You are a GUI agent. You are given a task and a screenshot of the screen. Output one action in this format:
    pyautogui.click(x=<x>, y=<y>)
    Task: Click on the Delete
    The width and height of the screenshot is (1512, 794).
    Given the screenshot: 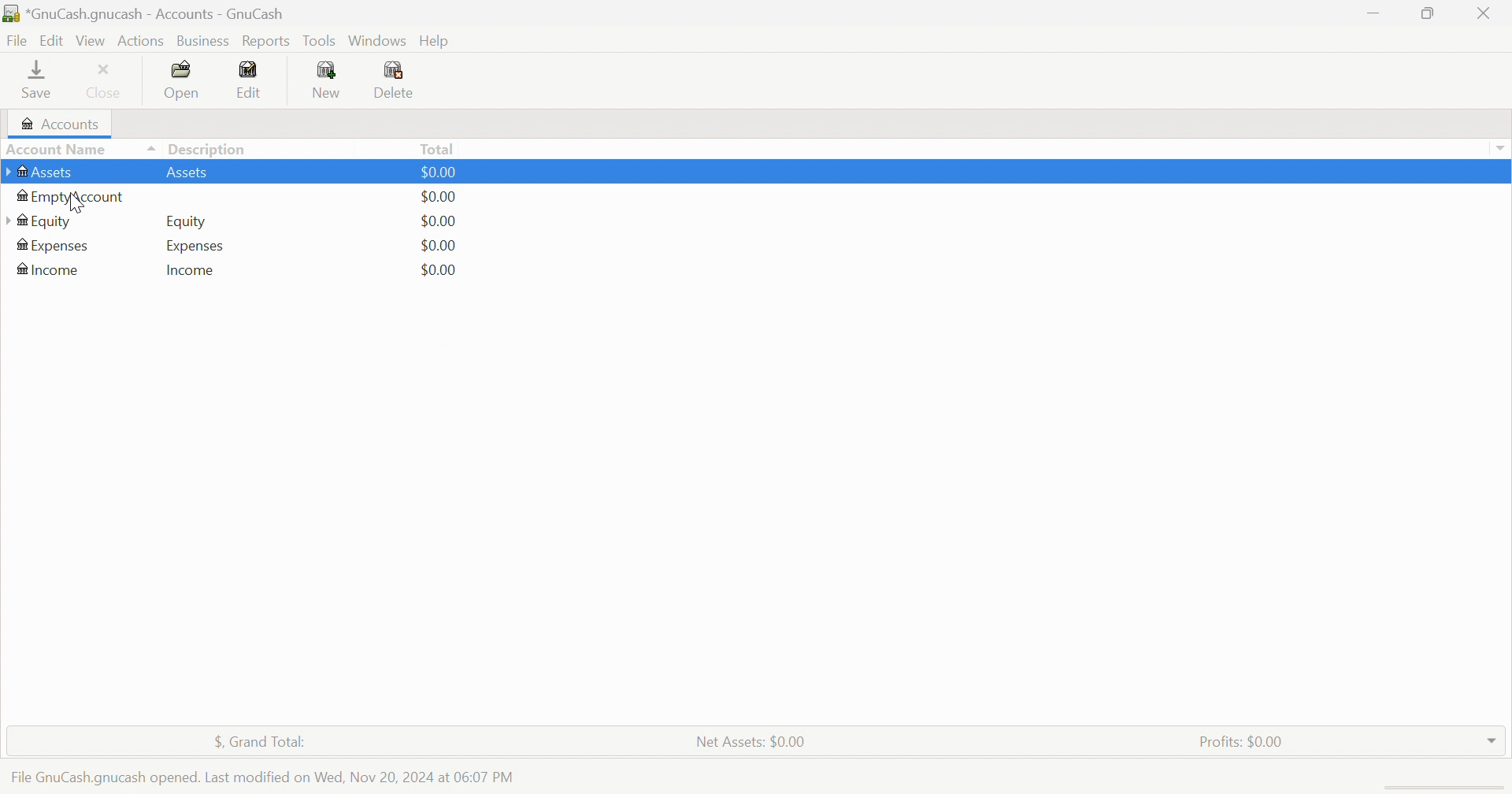 What is the action you would take?
    pyautogui.click(x=398, y=80)
    